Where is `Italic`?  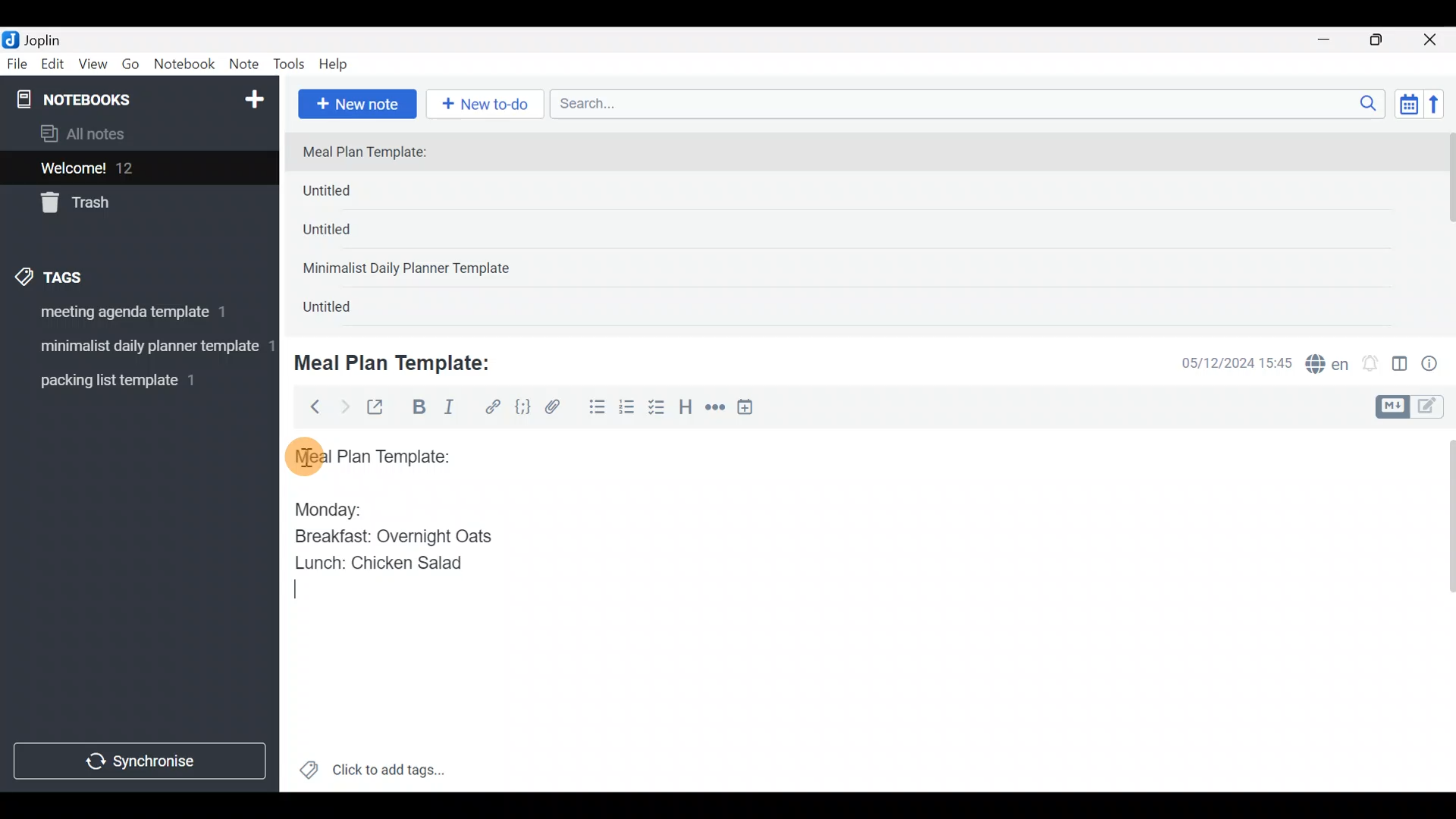 Italic is located at coordinates (447, 410).